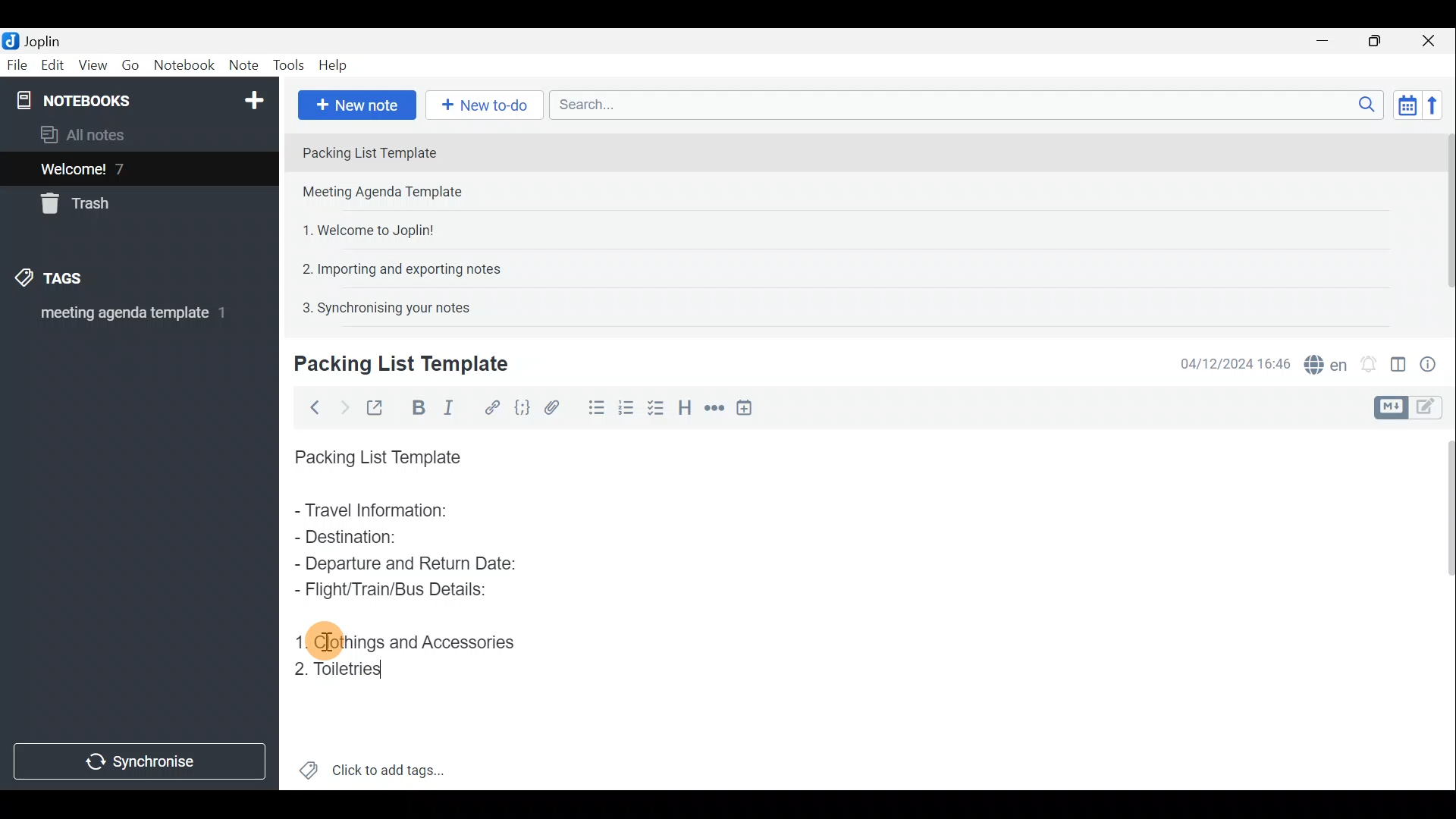 This screenshot has width=1456, height=819. Describe the element at coordinates (243, 66) in the screenshot. I see `Note` at that location.